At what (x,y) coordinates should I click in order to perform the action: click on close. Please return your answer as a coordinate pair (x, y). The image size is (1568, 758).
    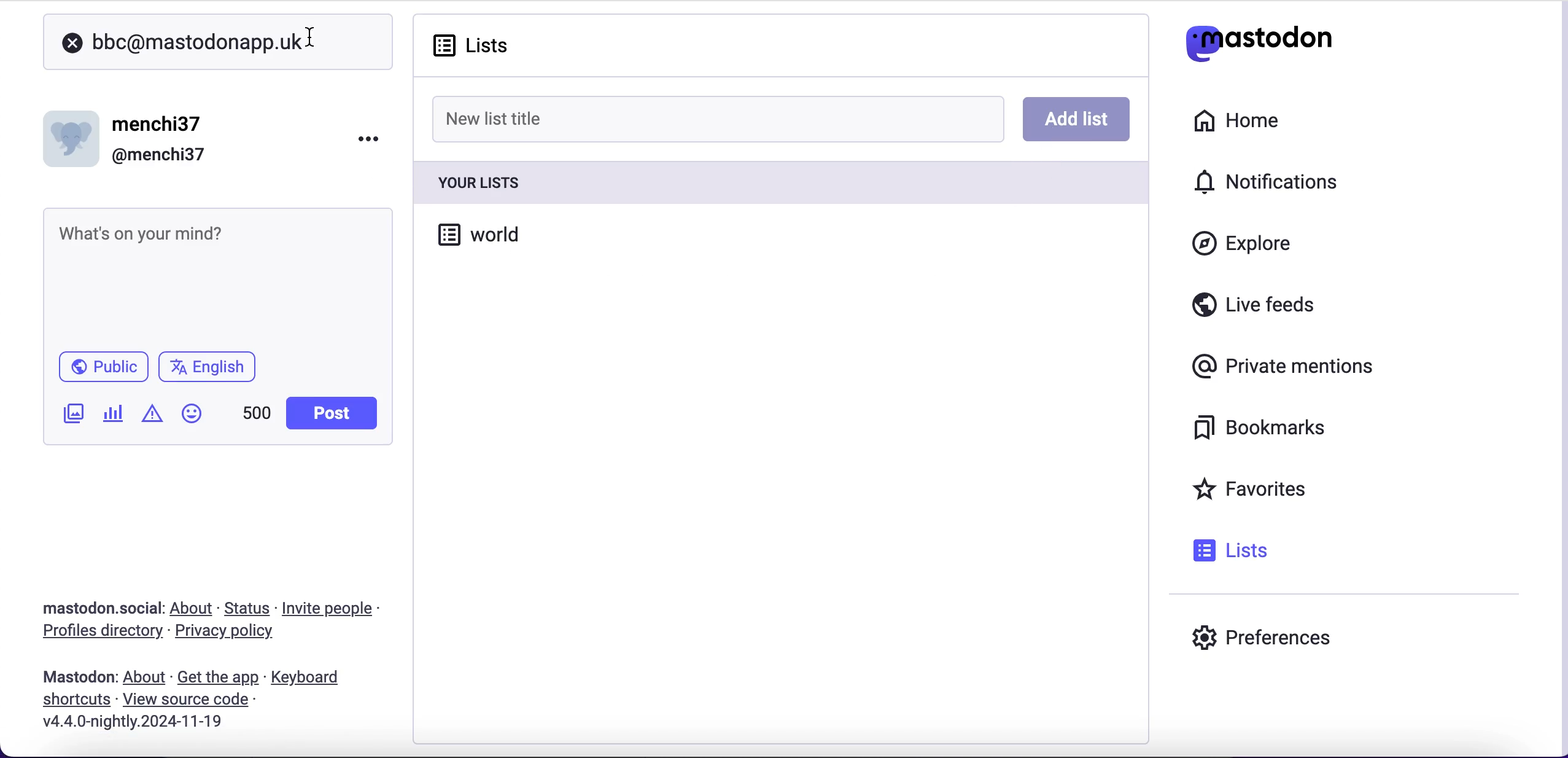
    Looking at the image, I should click on (72, 44).